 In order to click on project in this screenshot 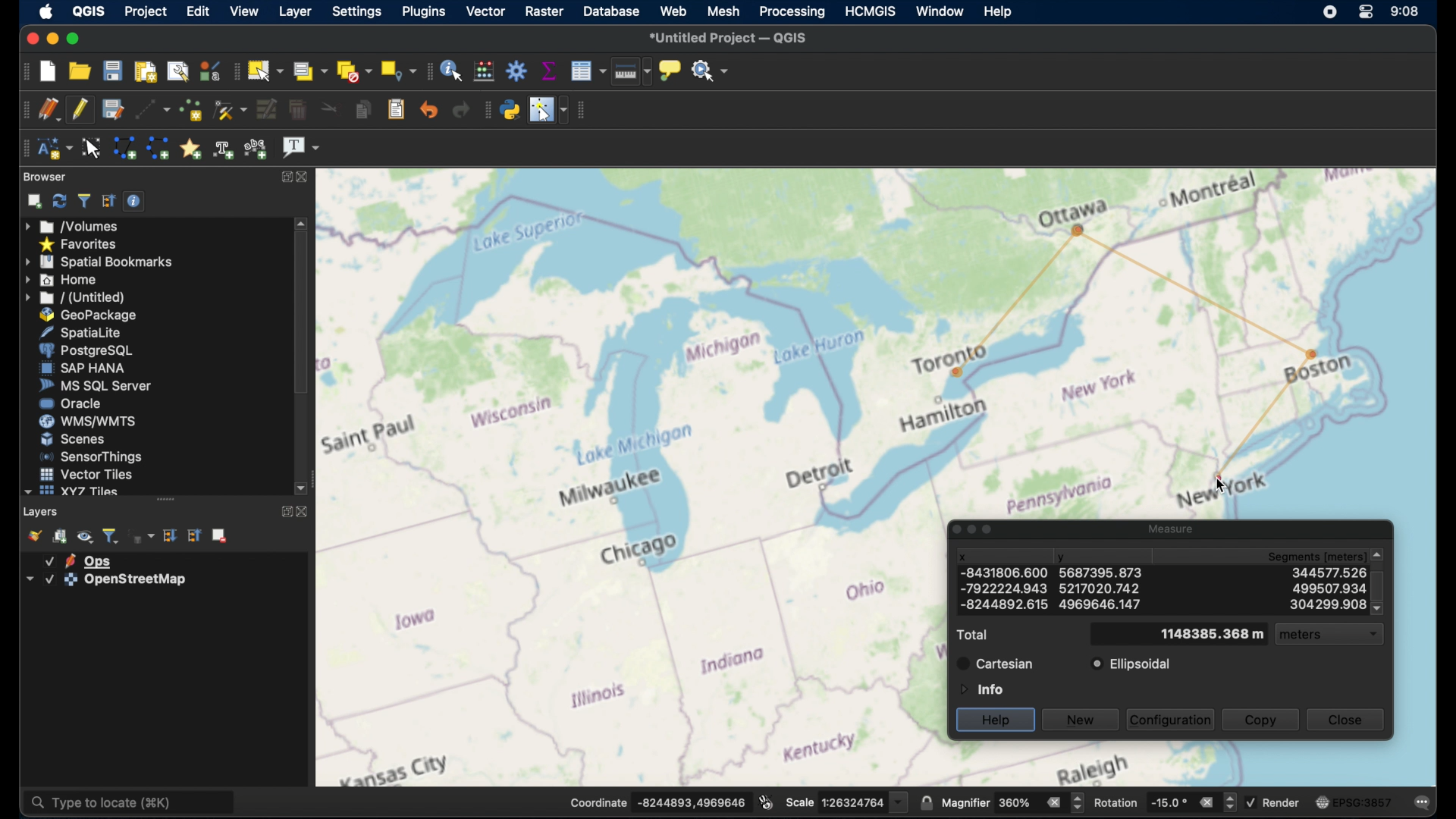, I will do `click(146, 11)`.